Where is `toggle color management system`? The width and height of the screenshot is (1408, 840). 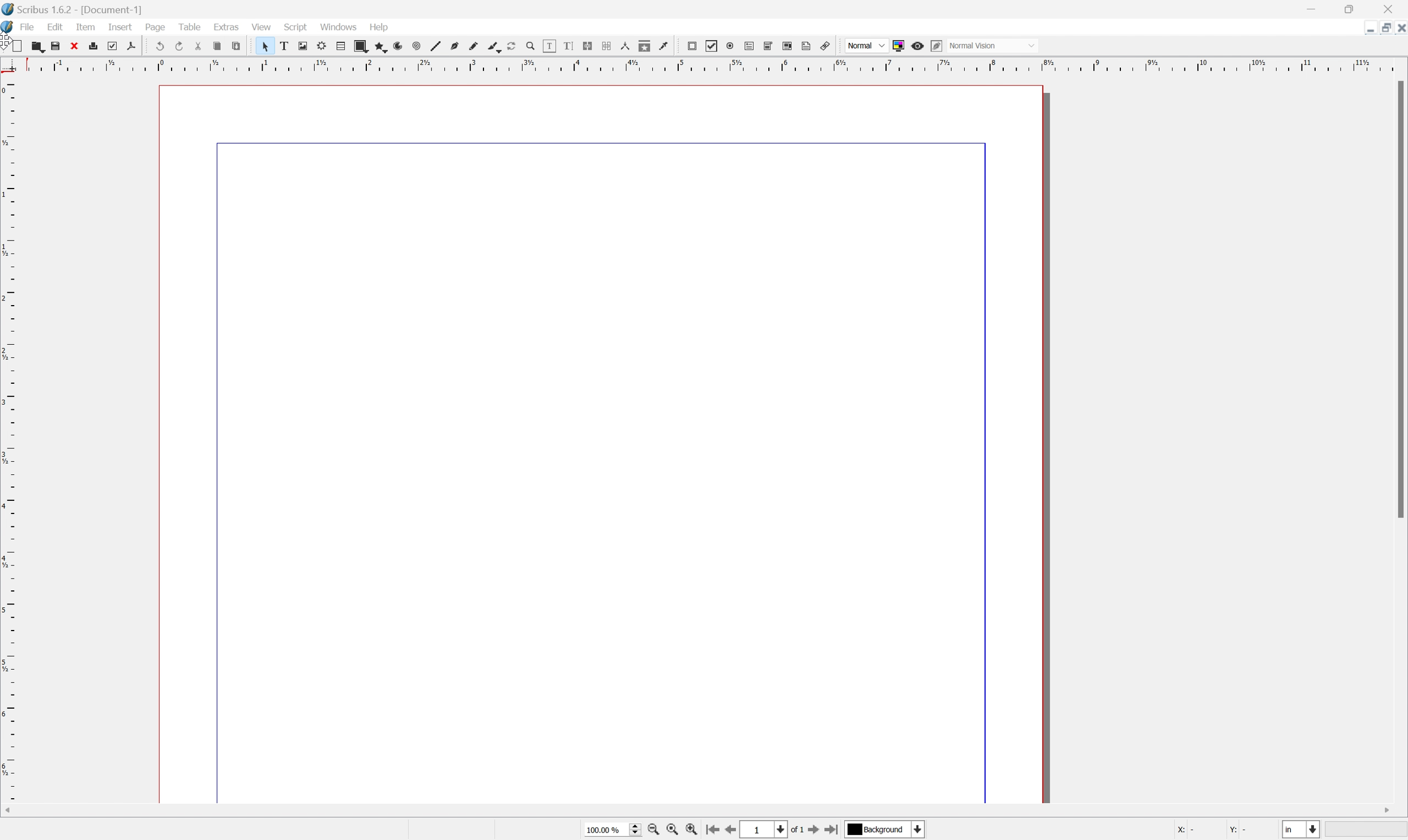
toggle color management system is located at coordinates (898, 46).